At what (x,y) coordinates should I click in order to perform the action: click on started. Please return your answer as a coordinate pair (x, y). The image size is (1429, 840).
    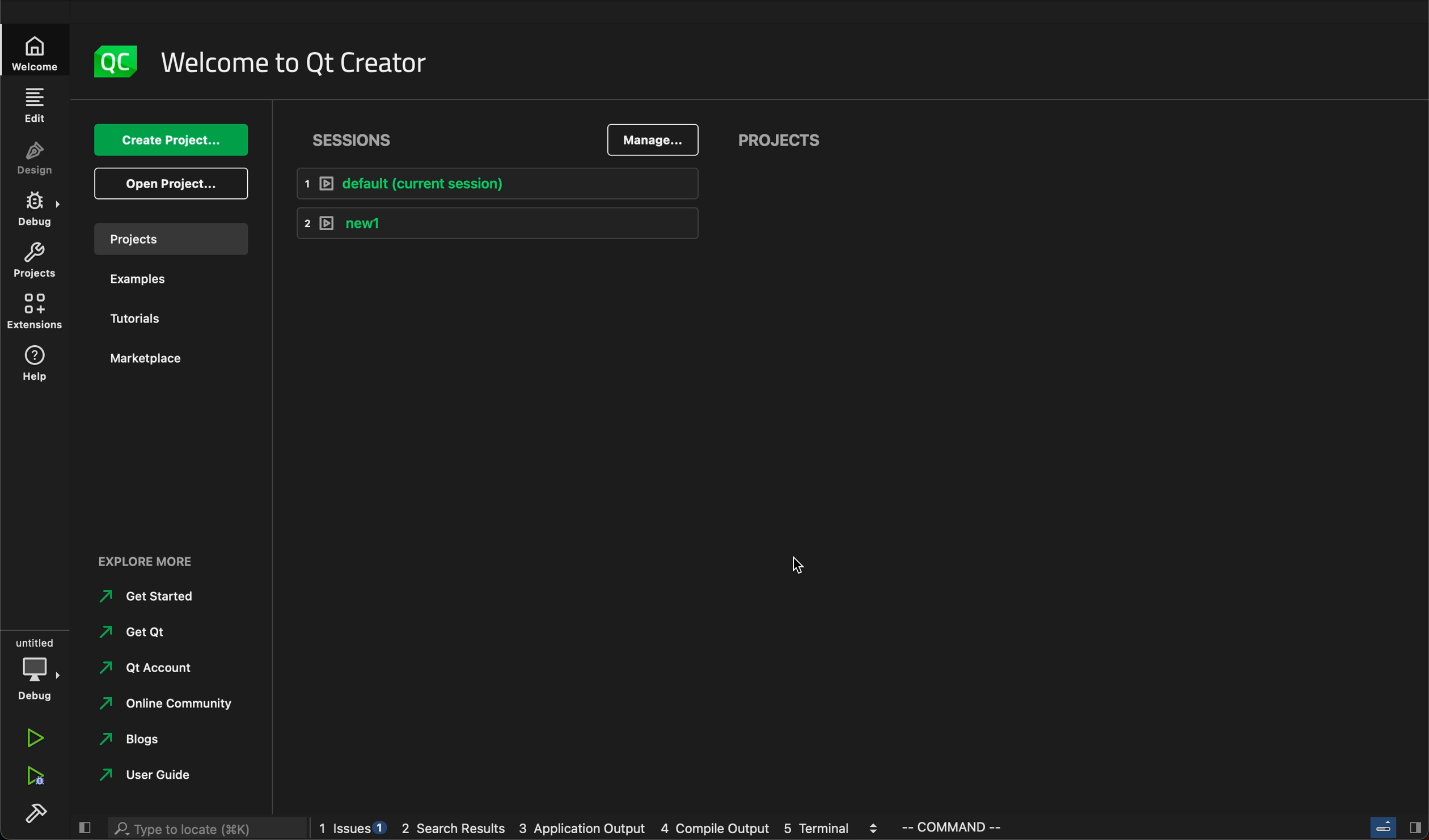
    Looking at the image, I should click on (150, 597).